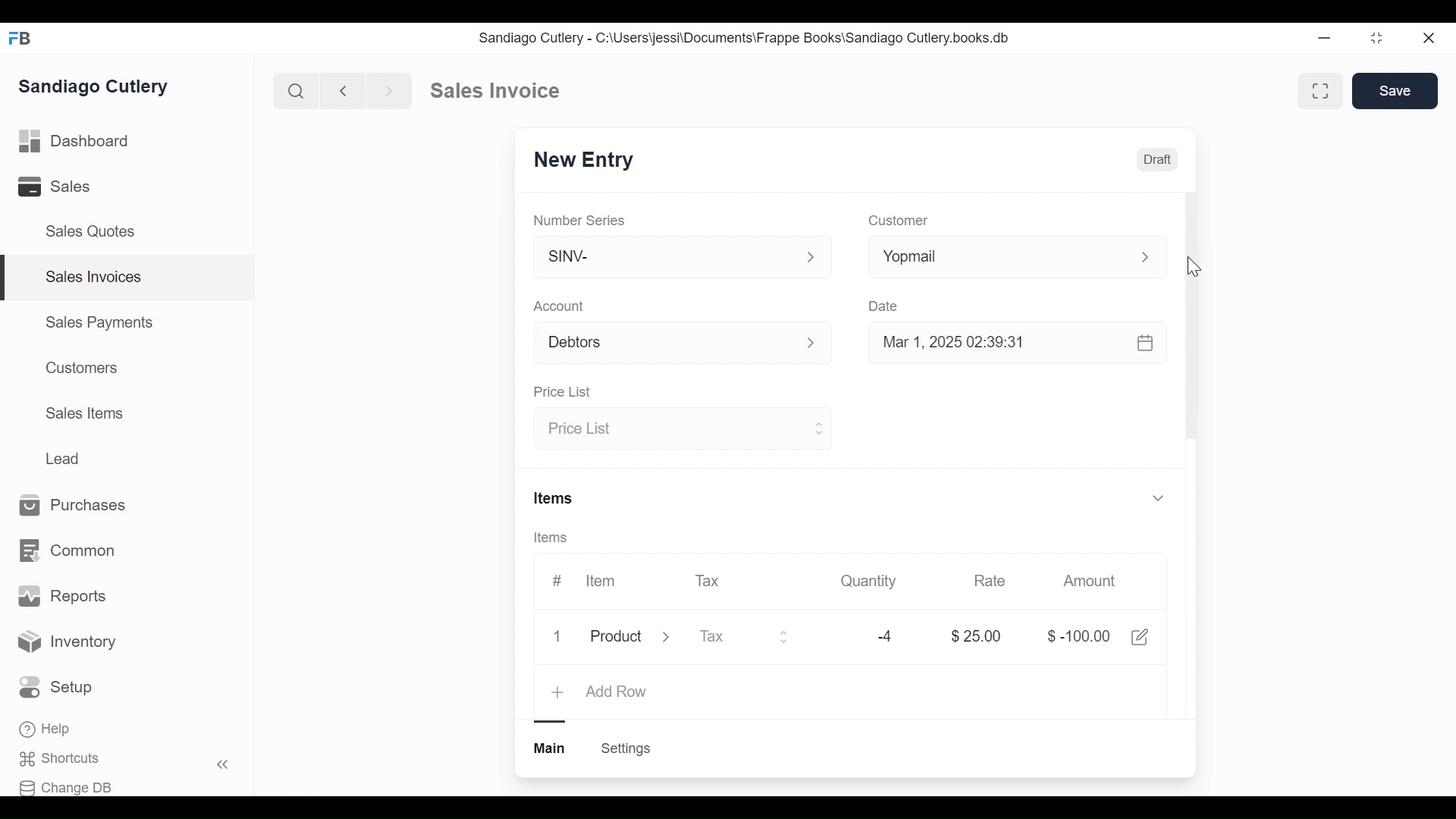 Image resolution: width=1456 pixels, height=819 pixels. What do you see at coordinates (1194, 267) in the screenshot?
I see `Cursor` at bounding box center [1194, 267].